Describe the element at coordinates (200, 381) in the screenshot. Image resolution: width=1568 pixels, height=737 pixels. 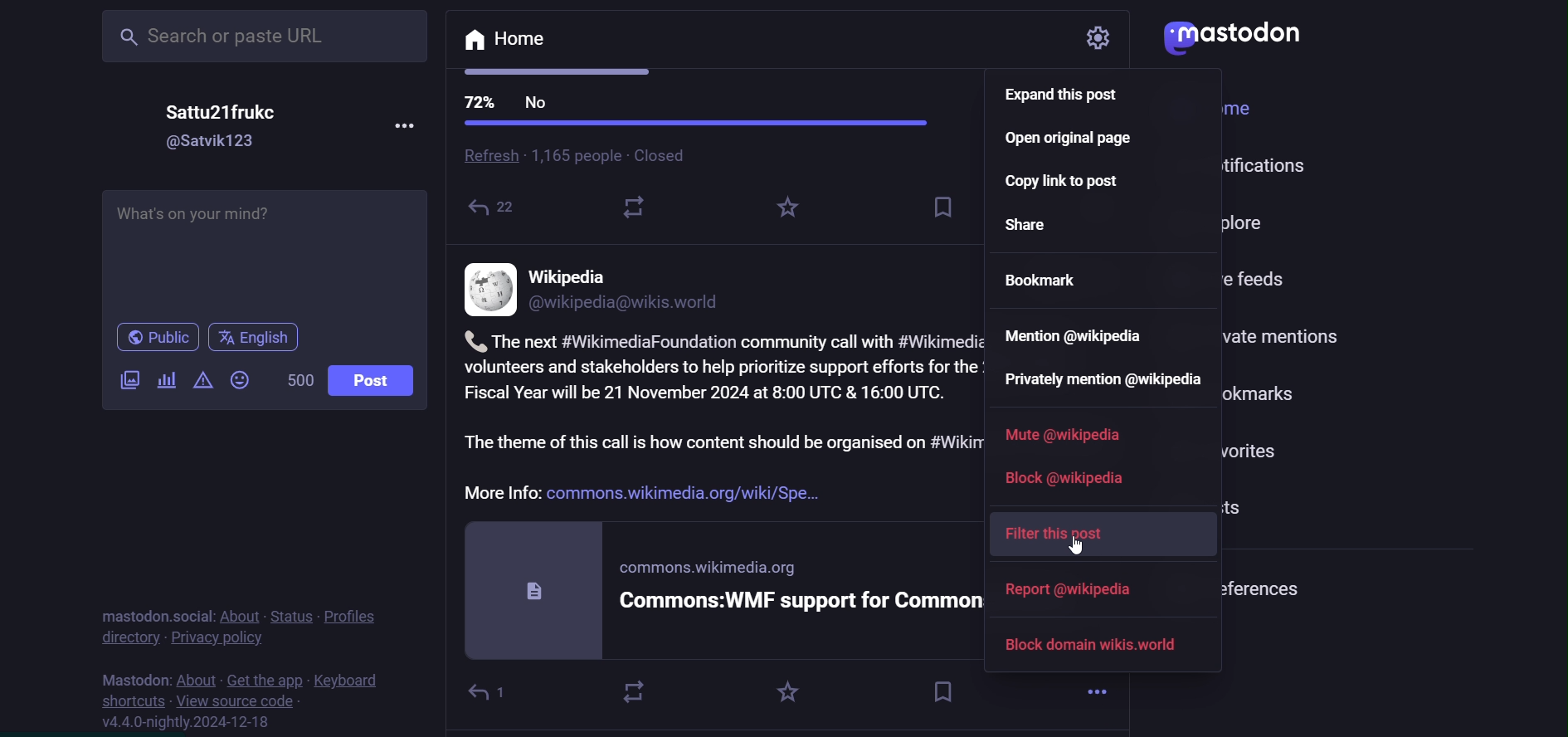
I see `content warning` at that location.